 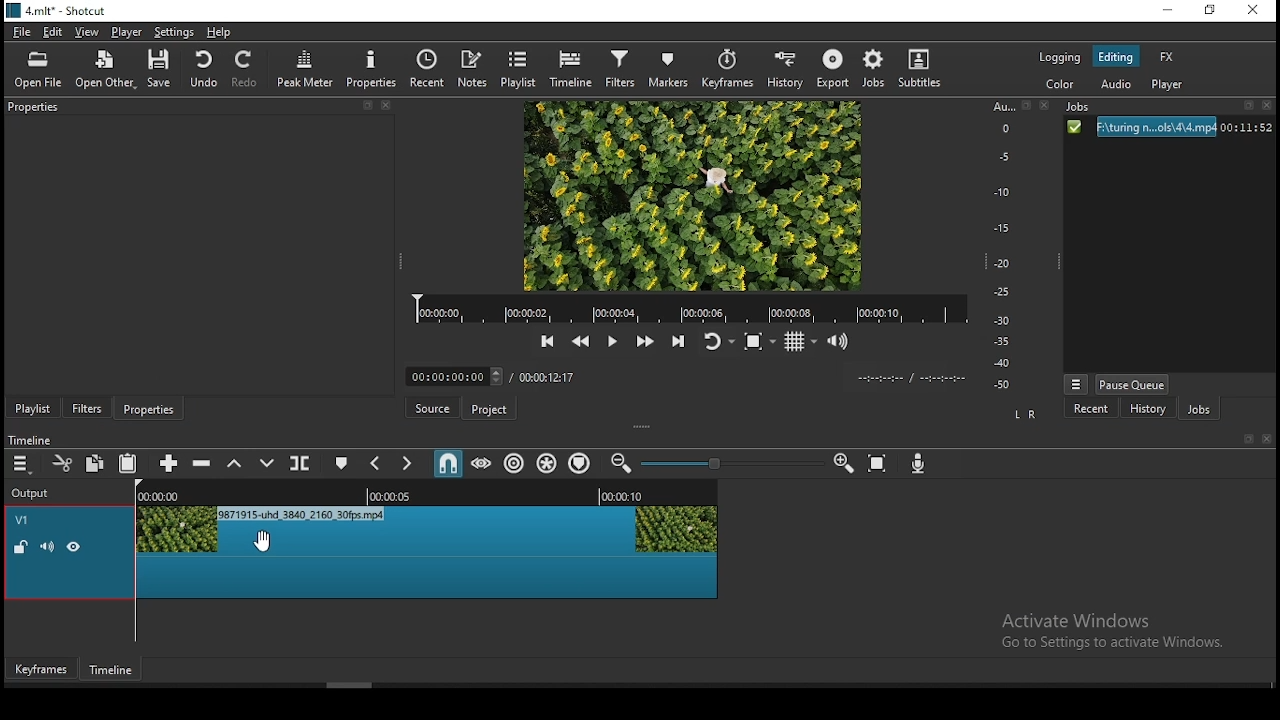 What do you see at coordinates (475, 68) in the screenshot?
I see `notes` at bounding box center [475, 68].